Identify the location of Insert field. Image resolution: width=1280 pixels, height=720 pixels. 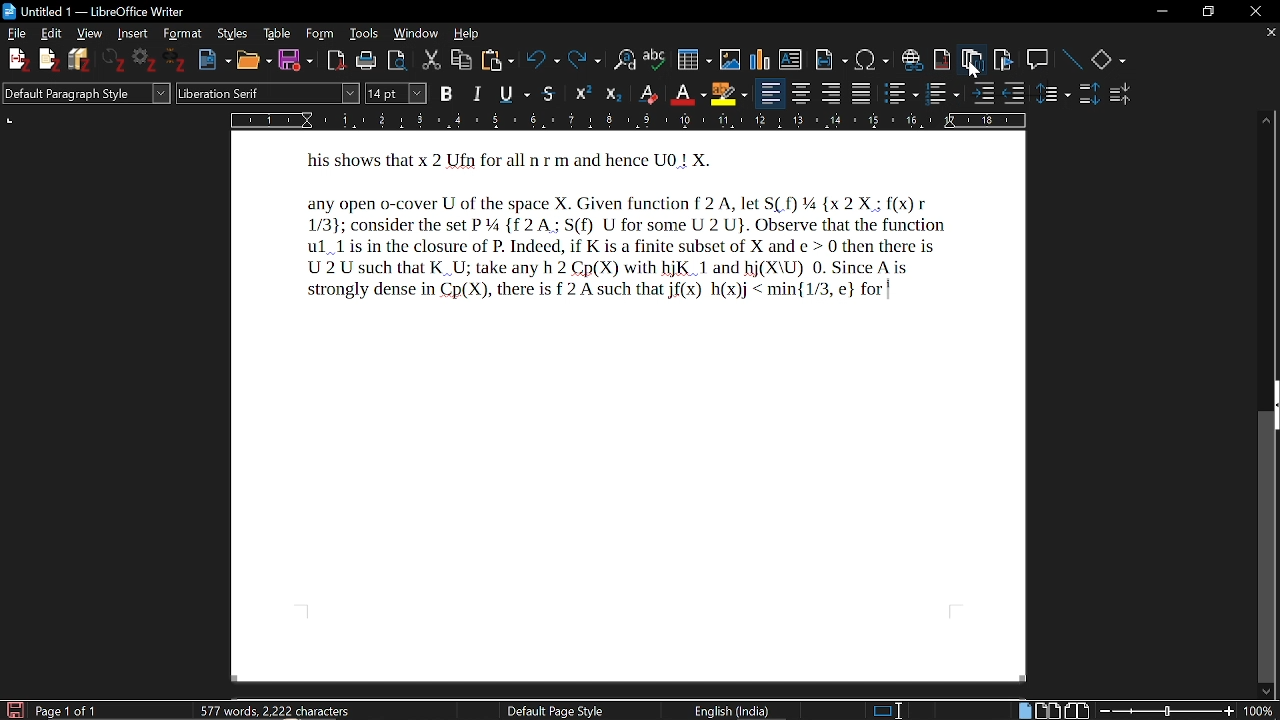
(832, 61).